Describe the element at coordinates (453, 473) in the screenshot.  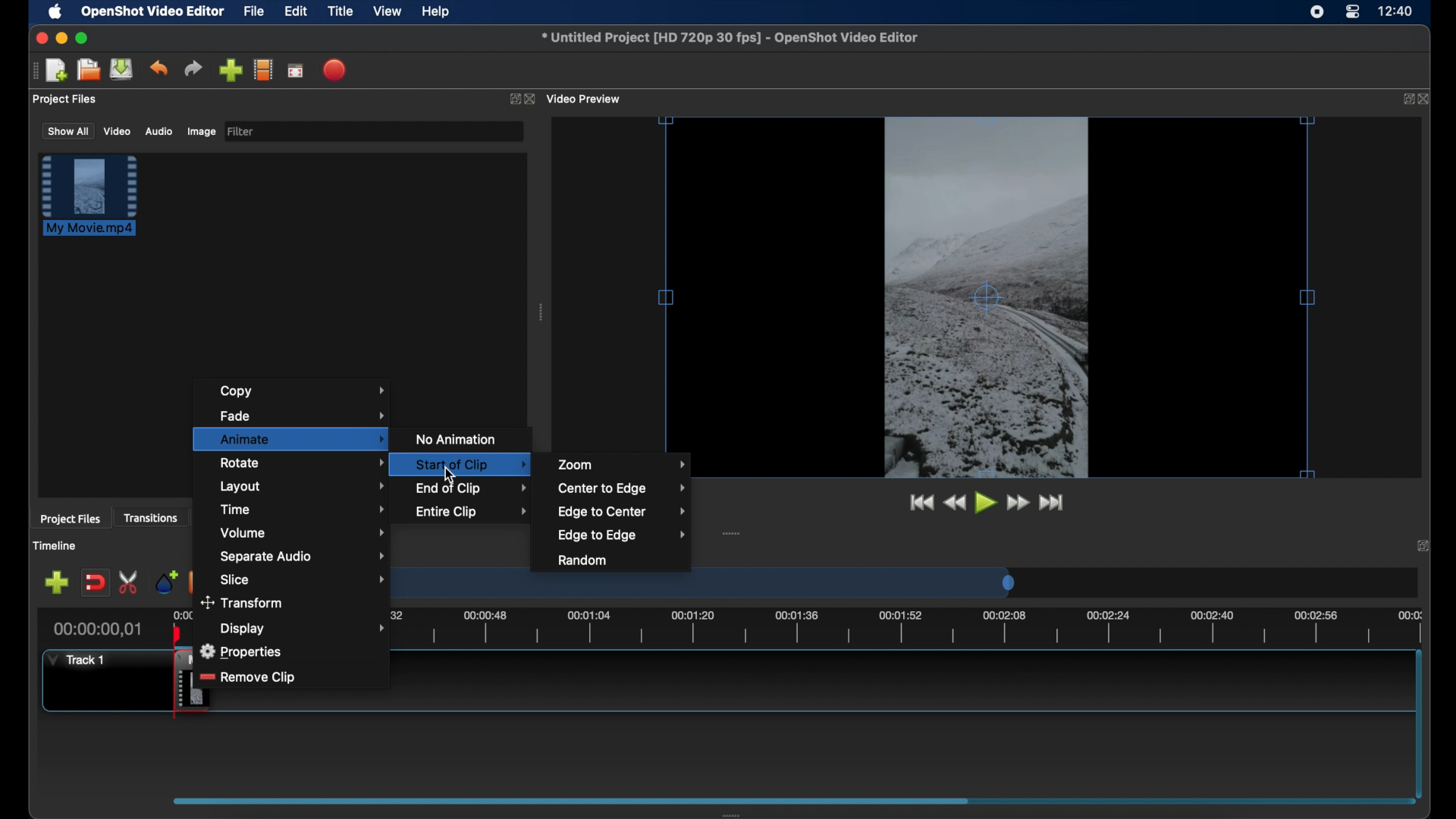
I see `cursor` at that location.